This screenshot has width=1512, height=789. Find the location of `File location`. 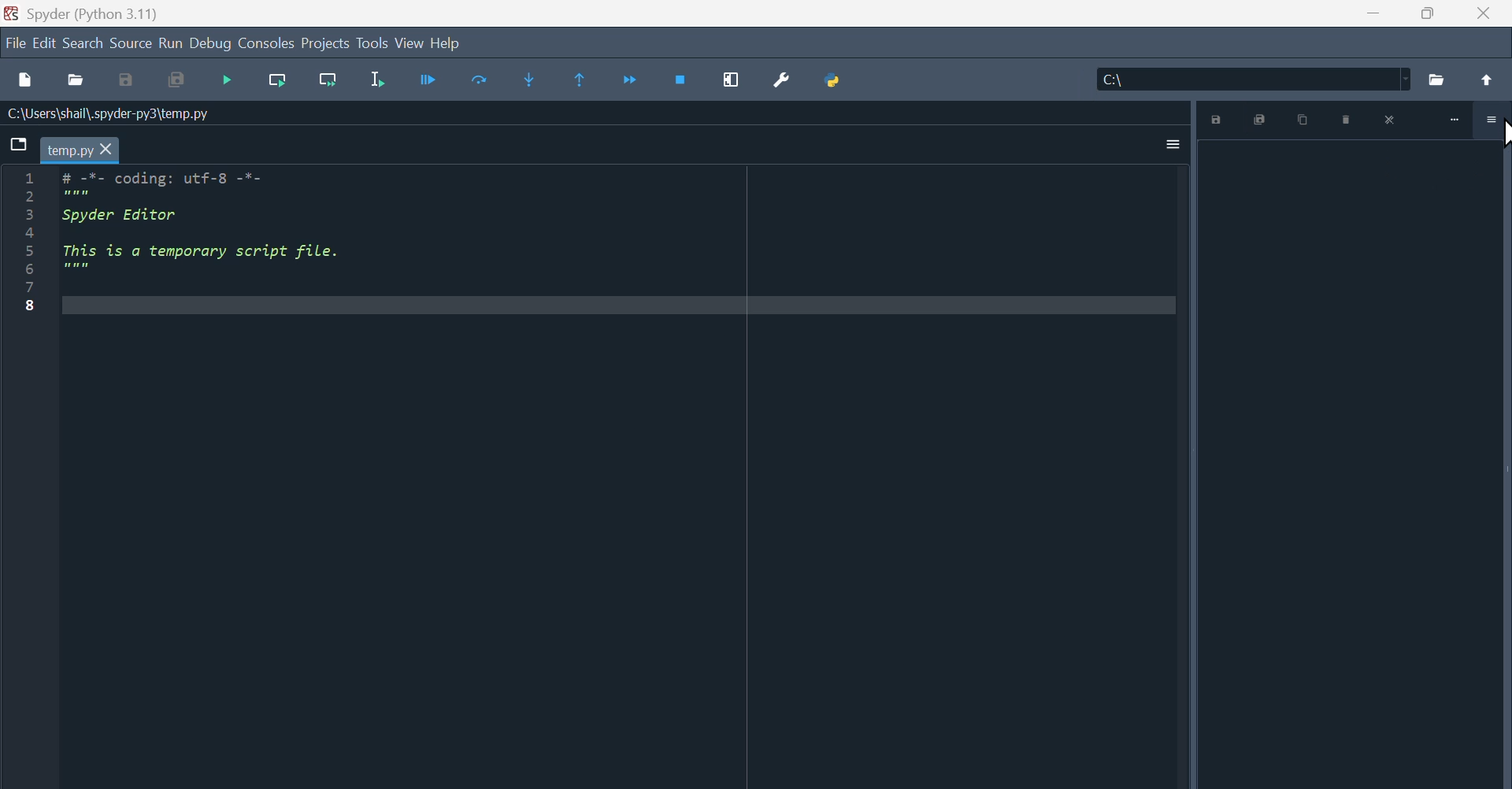

File location is located at coordinates (1249, 80).